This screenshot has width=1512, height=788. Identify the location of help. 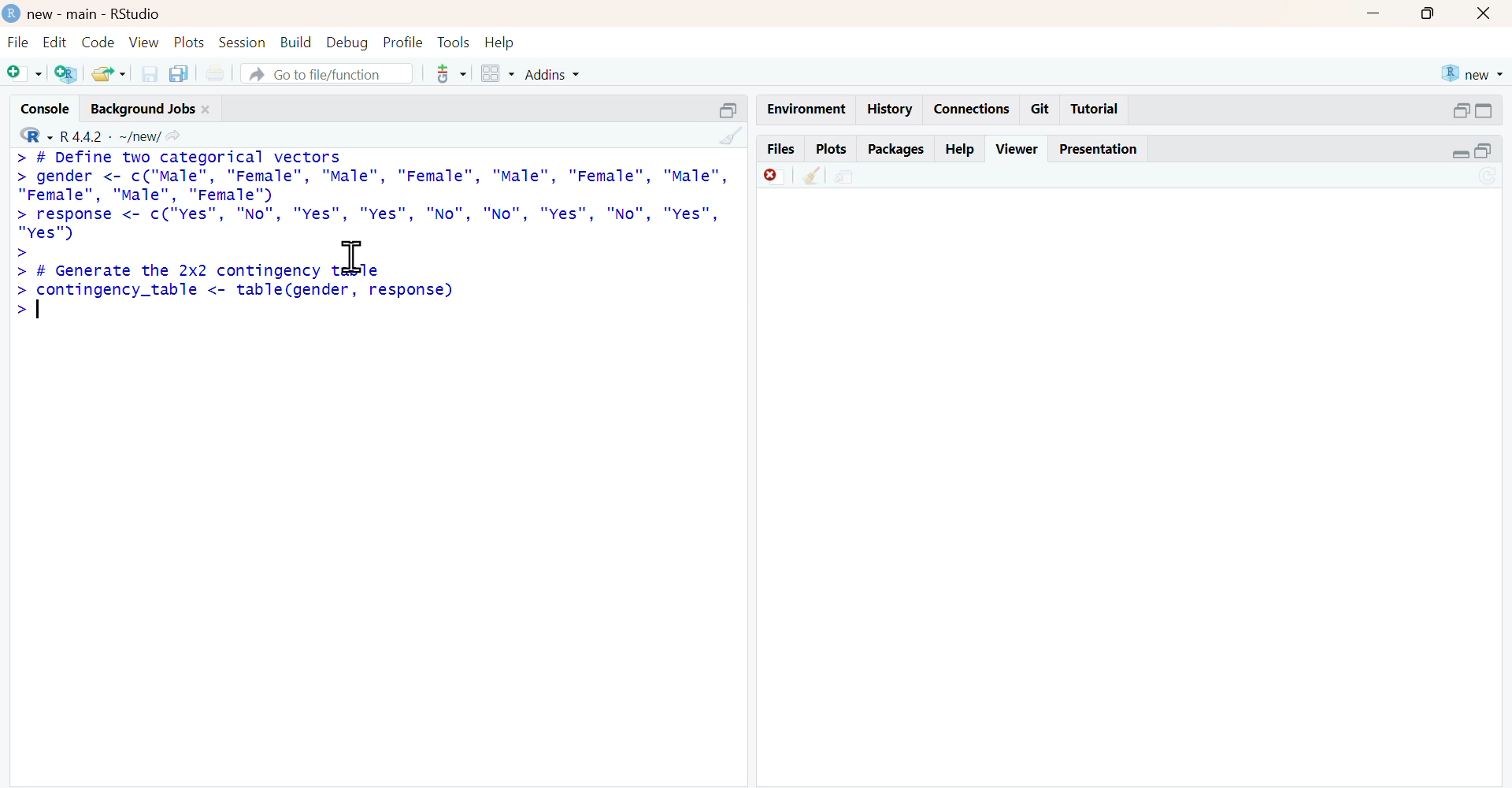
(961, 151).